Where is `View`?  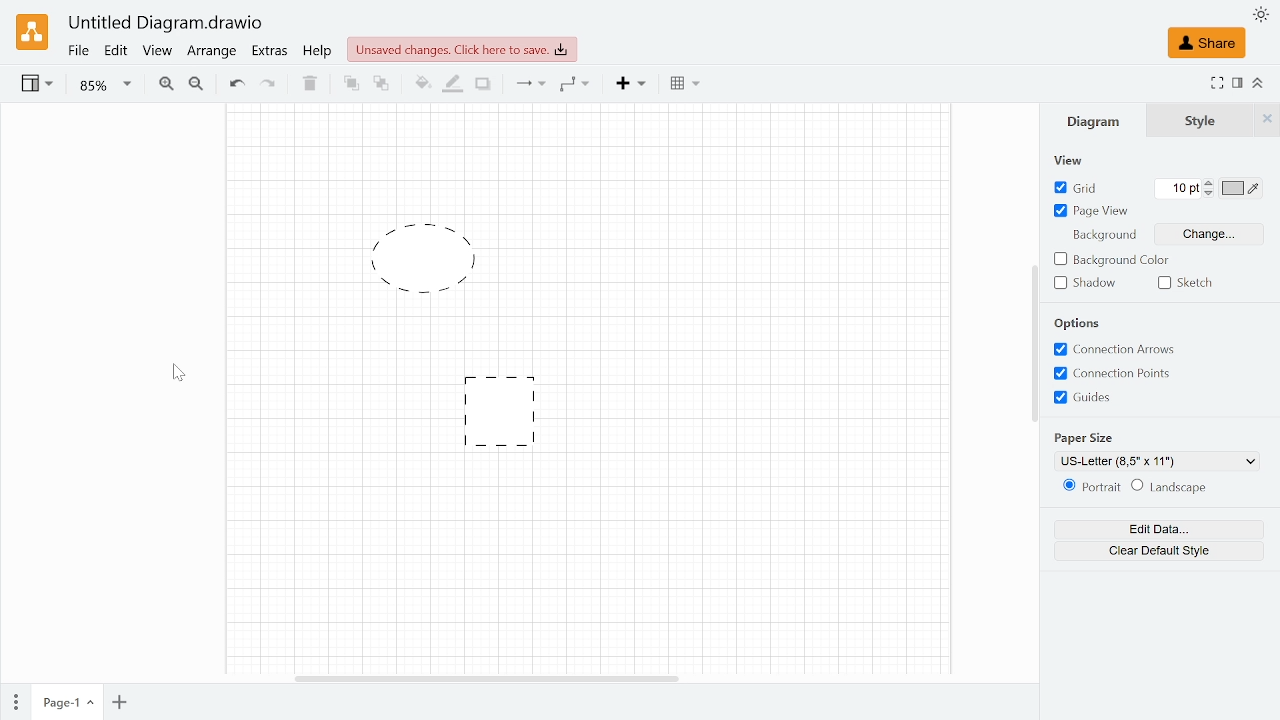 View is located at coordinates (158, 53).